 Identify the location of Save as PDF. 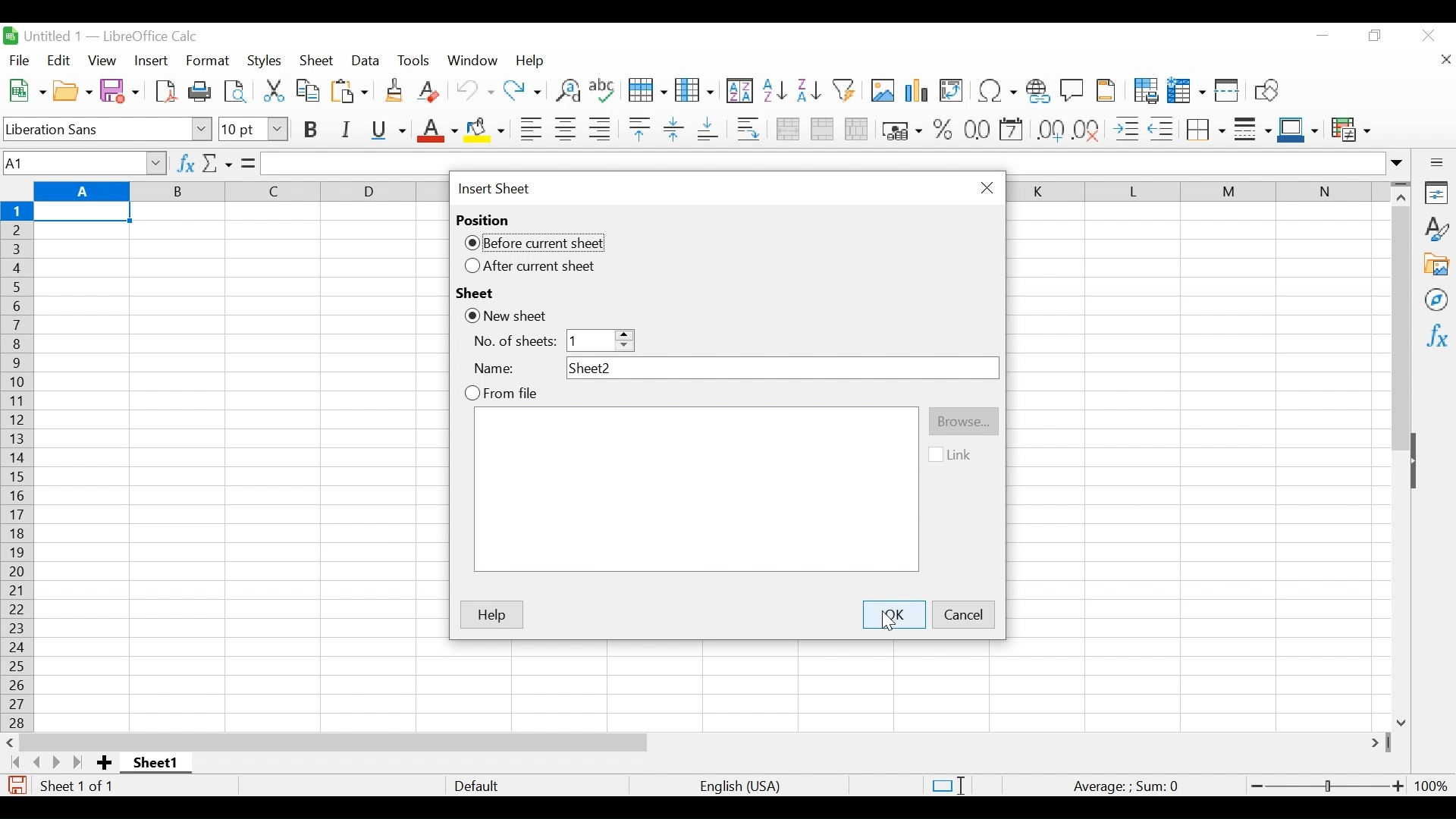
(166, 90).